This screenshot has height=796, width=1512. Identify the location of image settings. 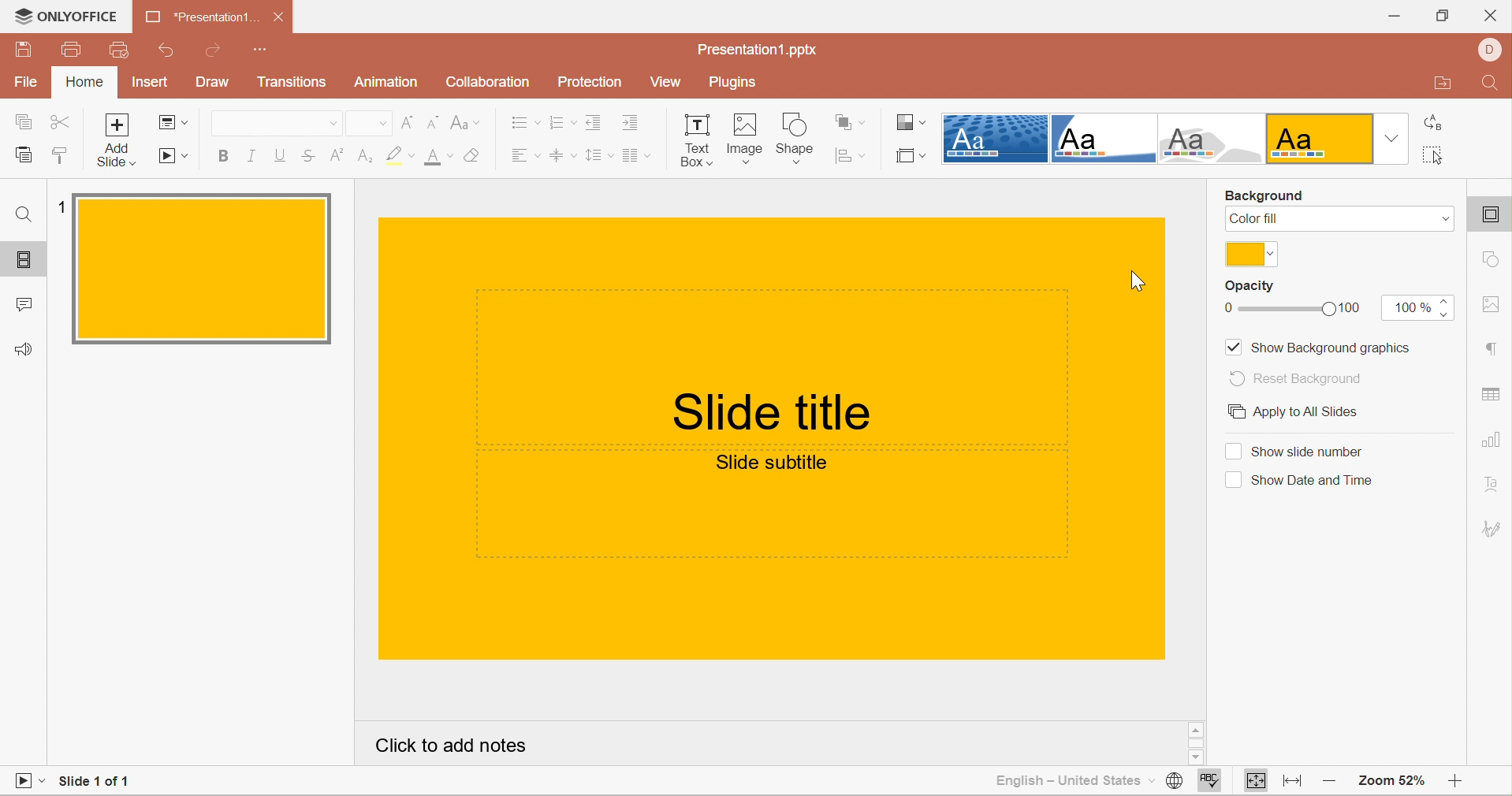
(1494, 305).